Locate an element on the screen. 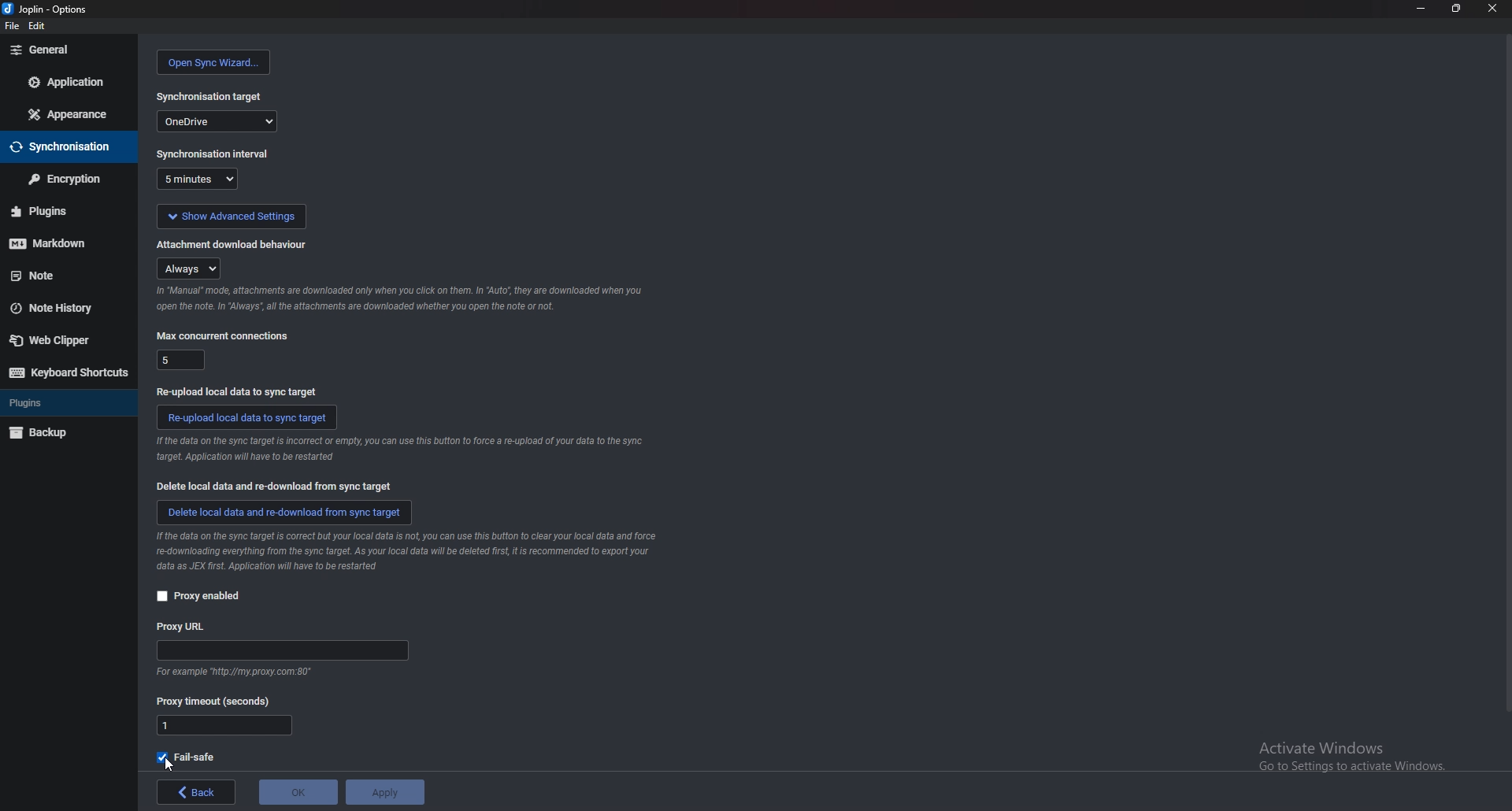 This screenshot has height=811, width=1512. application is located at coordinates (66, 81).